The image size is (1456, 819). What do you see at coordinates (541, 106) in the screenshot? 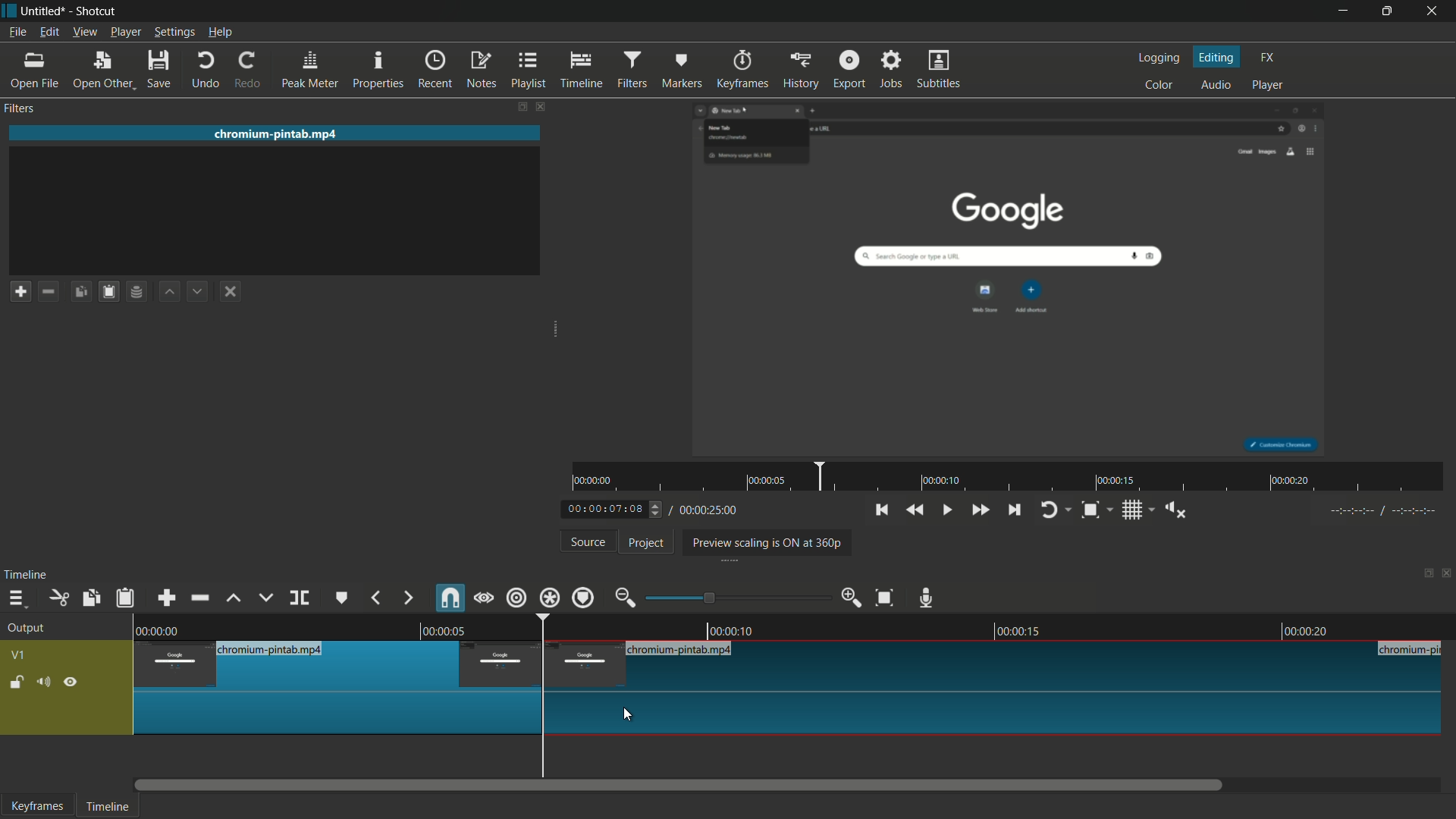
I see `close filters` at bounding box center [541, 106].